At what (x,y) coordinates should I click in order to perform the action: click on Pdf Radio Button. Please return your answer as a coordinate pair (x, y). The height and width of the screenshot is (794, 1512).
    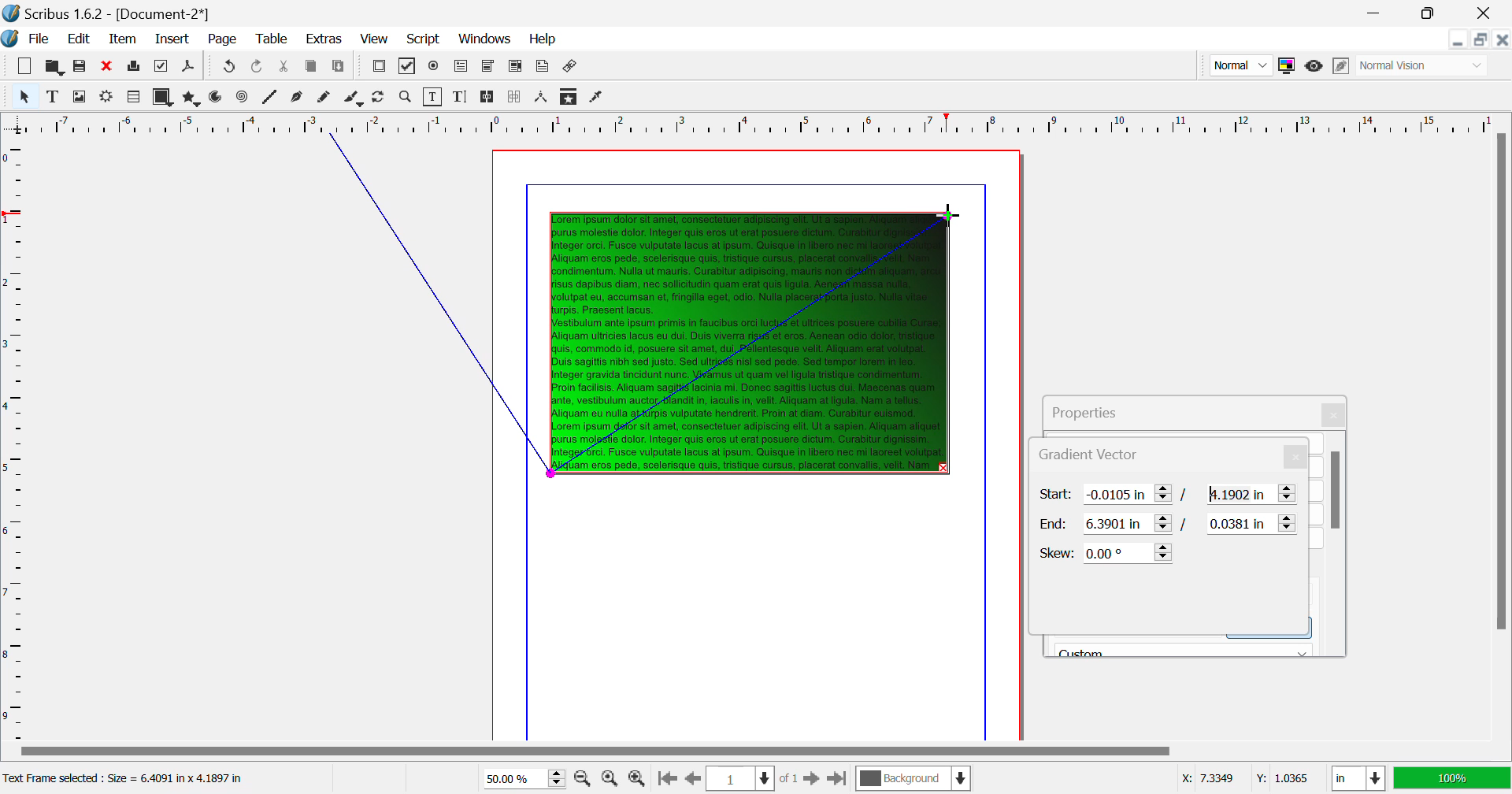
    Looking at the image, I should click on (434, 68).